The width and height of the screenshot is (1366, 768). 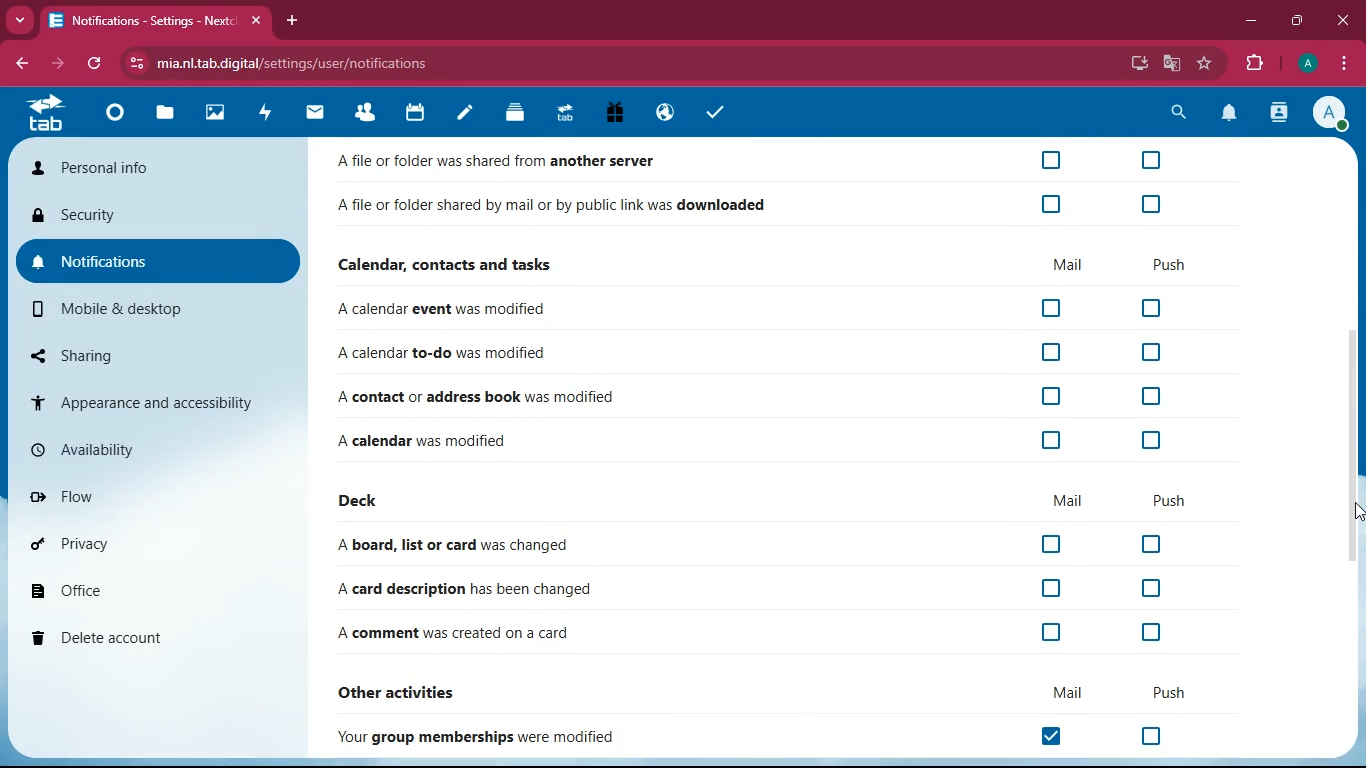 I want to click on more, so click(x=17, y=20).